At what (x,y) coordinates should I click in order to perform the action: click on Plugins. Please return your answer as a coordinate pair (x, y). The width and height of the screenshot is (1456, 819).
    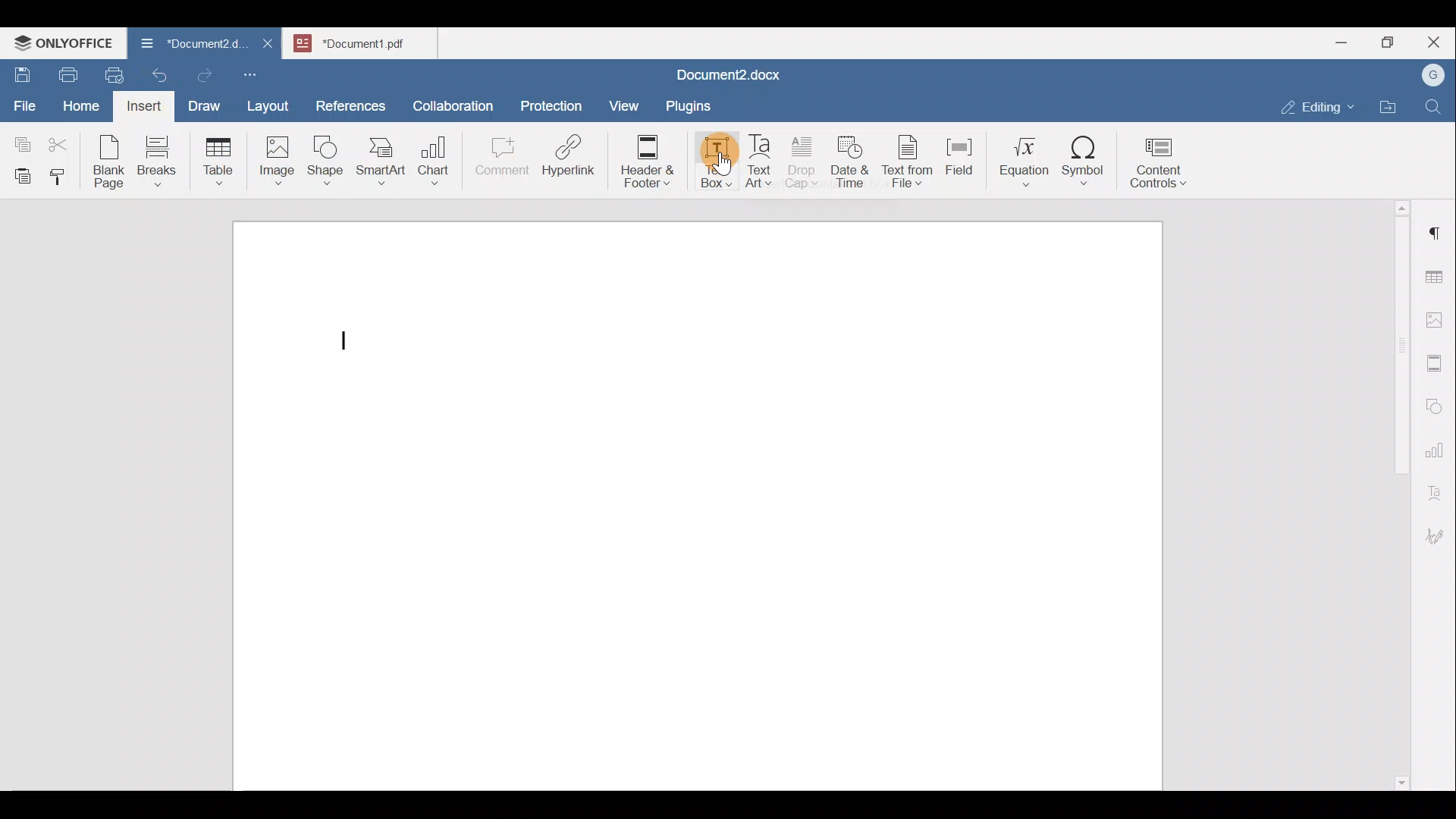
    Looking at the image, I should click on (686, 105).